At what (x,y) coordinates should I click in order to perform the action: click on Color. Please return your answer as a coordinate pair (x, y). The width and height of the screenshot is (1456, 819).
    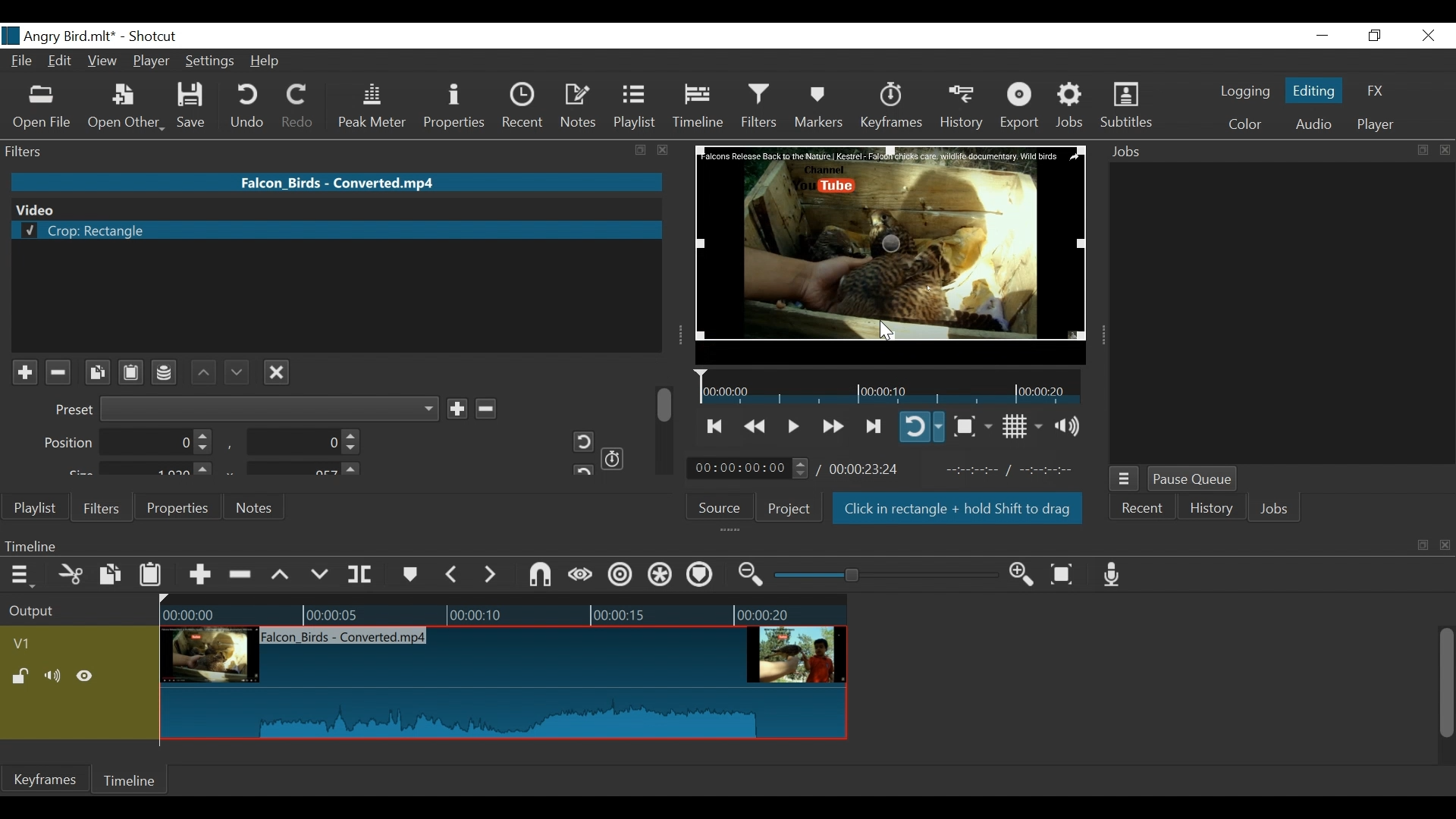
    Looking at the image, I should click on (1241, 124).